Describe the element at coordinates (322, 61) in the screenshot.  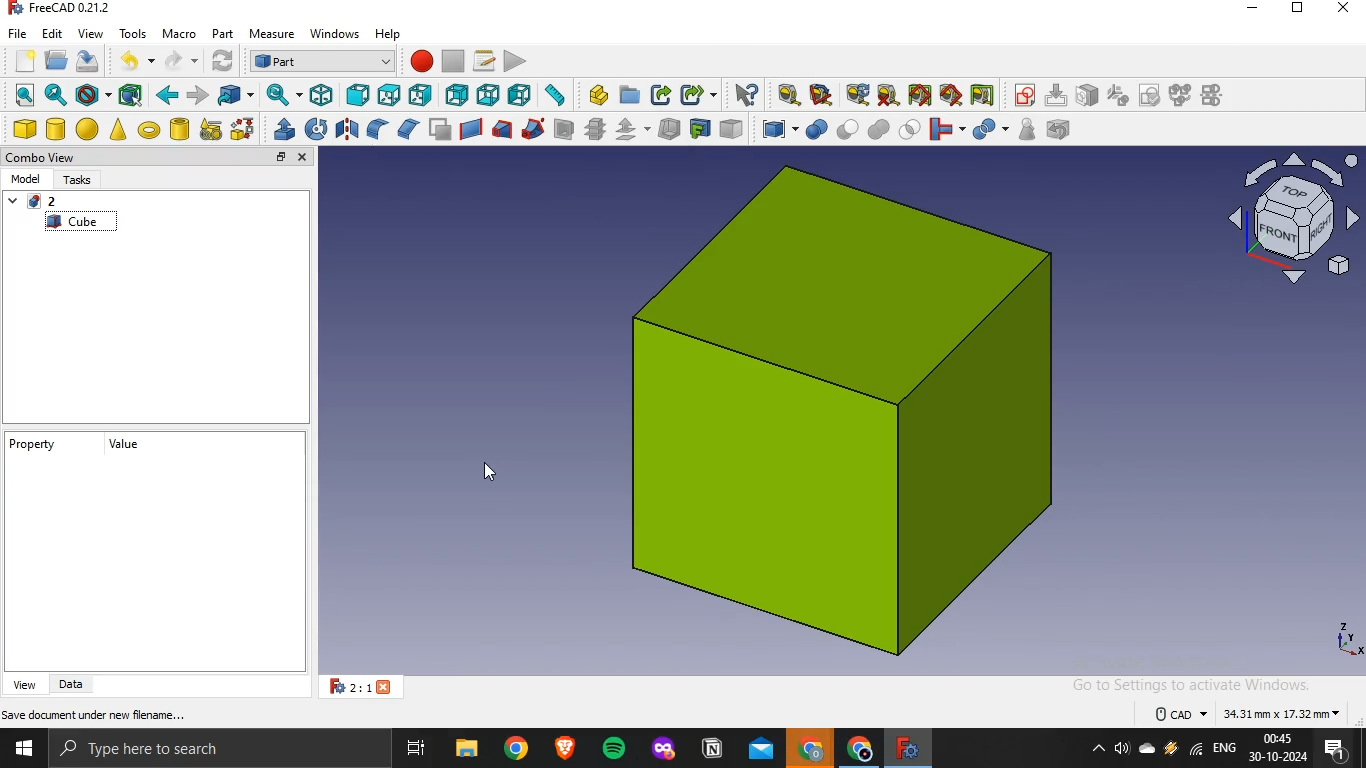
I see `workbench` at that location.